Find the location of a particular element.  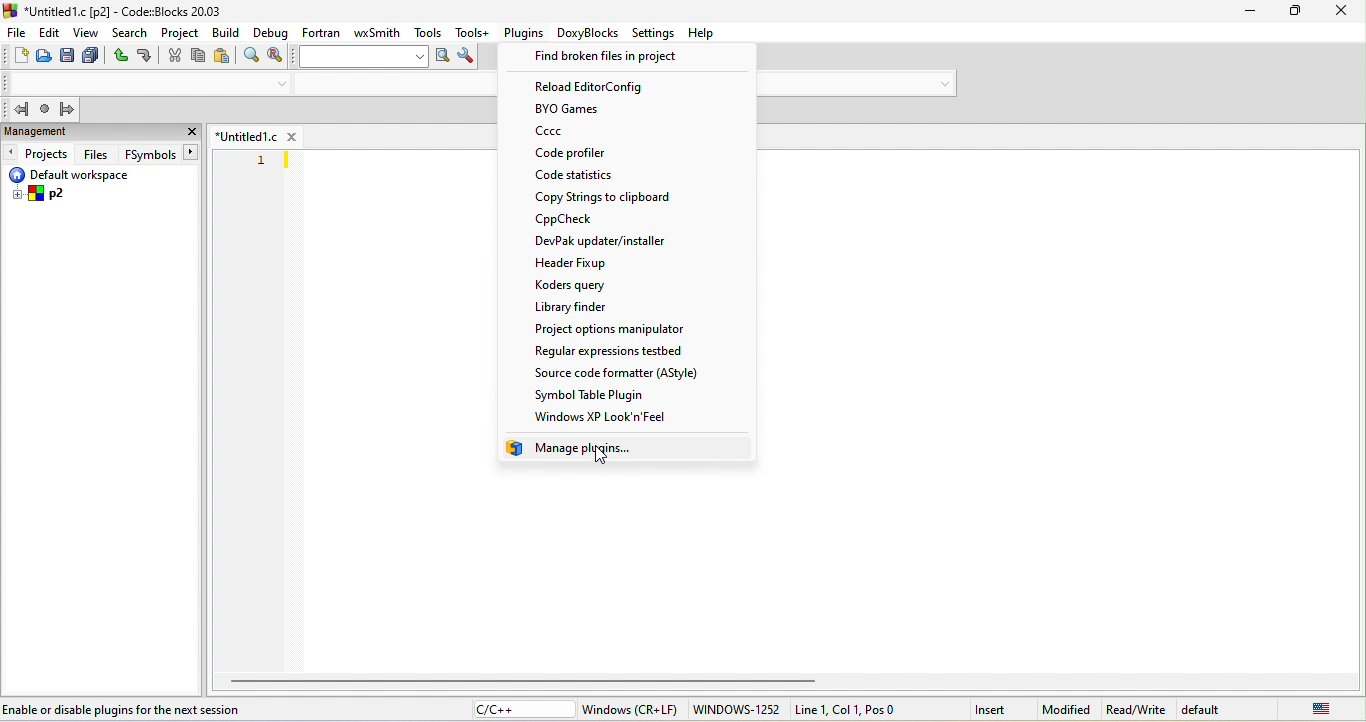

horizontal scroll bar is located at coordinates (524, 678).